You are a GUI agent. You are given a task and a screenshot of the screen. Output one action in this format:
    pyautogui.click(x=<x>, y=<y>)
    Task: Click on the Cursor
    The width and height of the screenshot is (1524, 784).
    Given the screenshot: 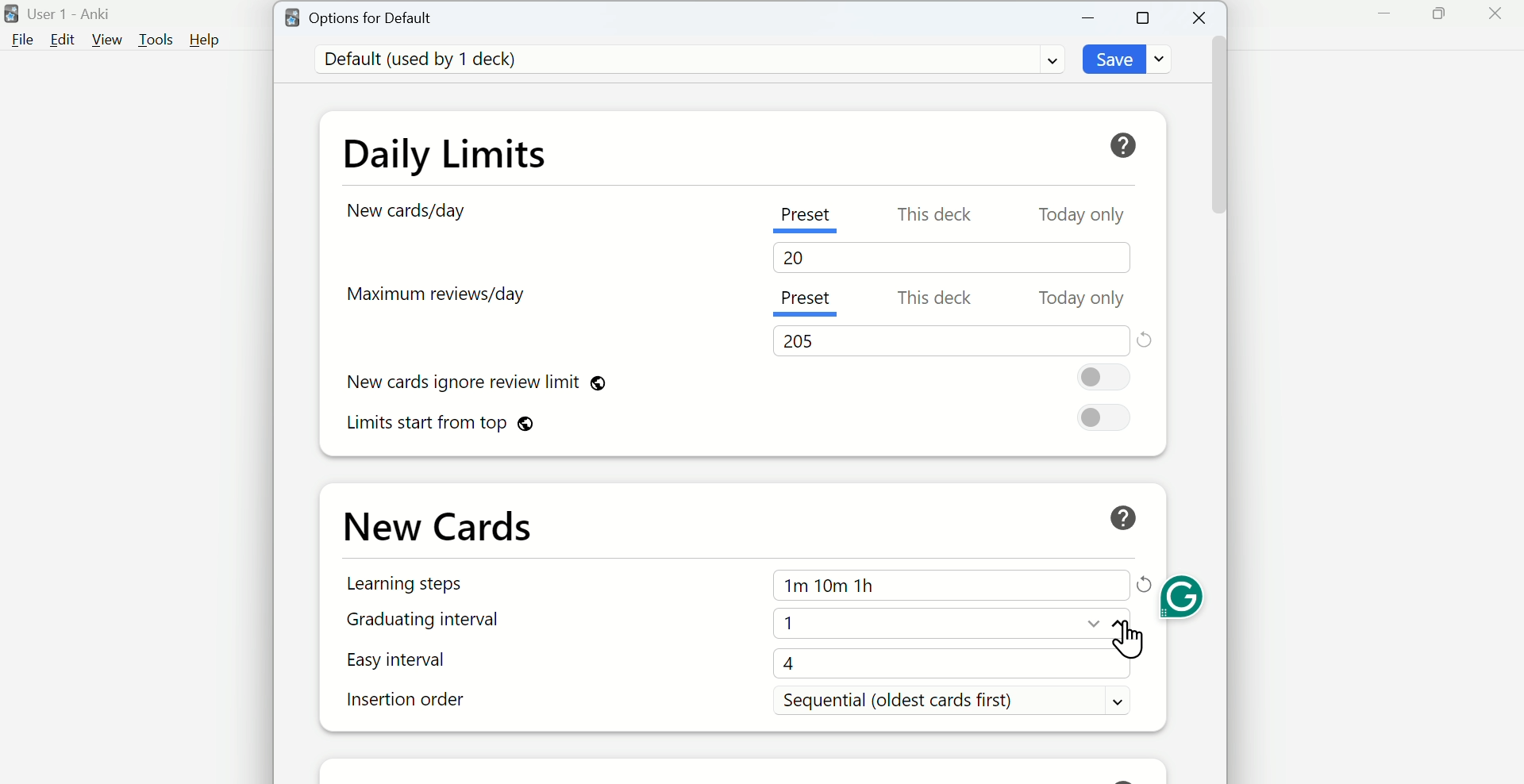 What is the action you would take?
    pyautogui.click(x=1131, y=636)
    